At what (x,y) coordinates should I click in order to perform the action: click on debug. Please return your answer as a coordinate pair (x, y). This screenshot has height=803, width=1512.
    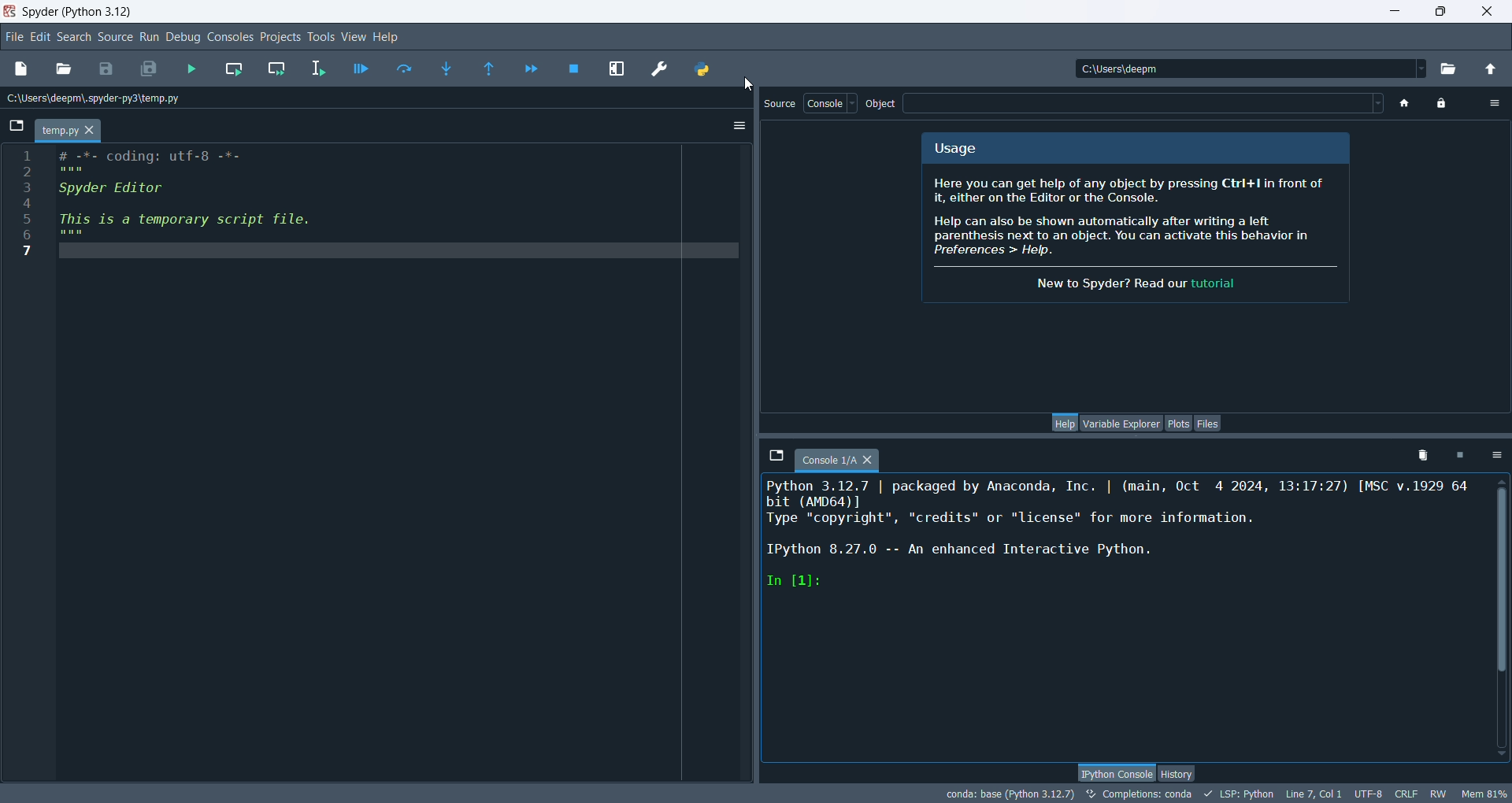
    Looking at the image, I should click on (184, 38).